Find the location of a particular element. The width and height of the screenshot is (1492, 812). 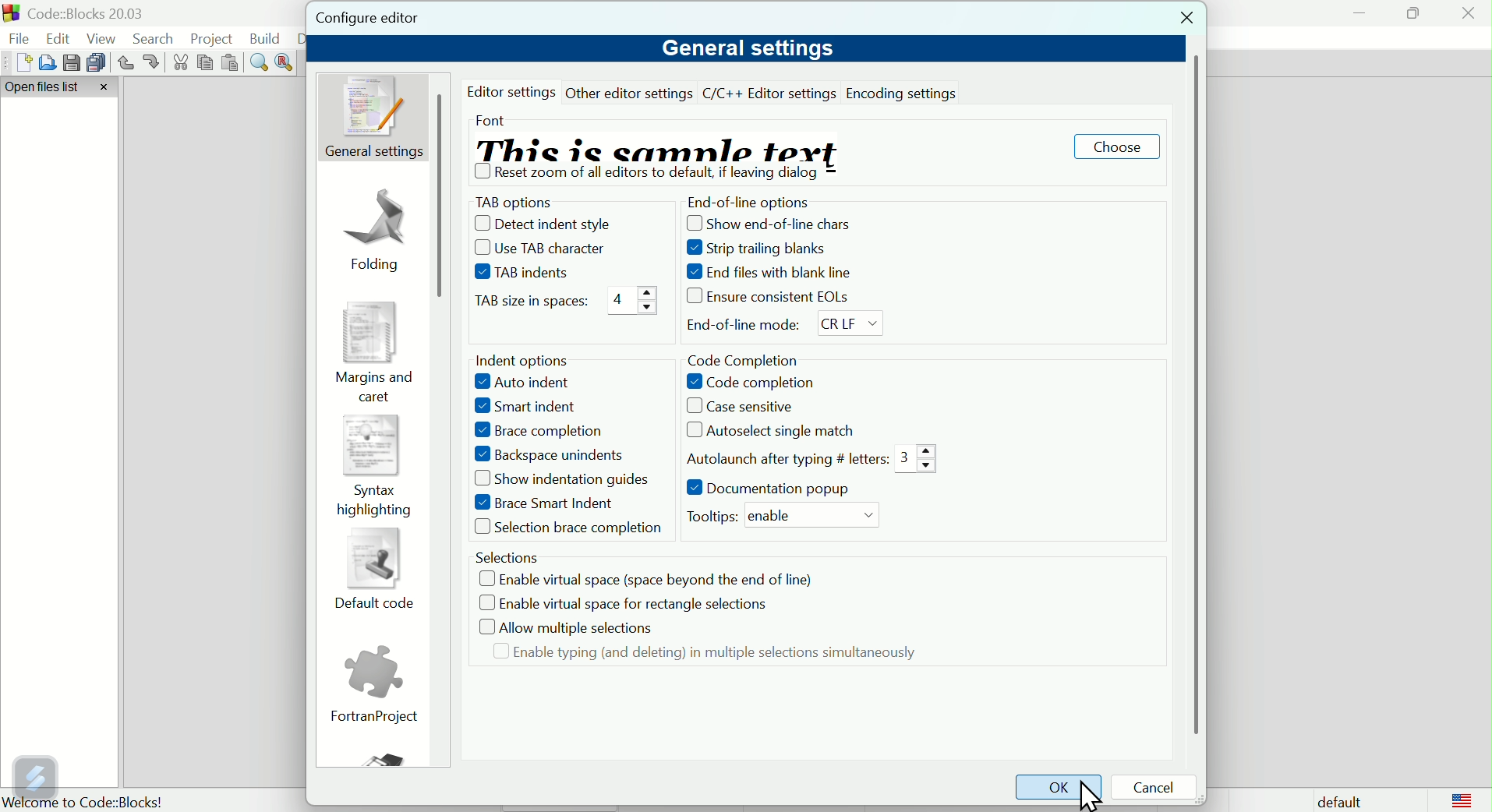

Tab option is located at coordinates (530, 201).